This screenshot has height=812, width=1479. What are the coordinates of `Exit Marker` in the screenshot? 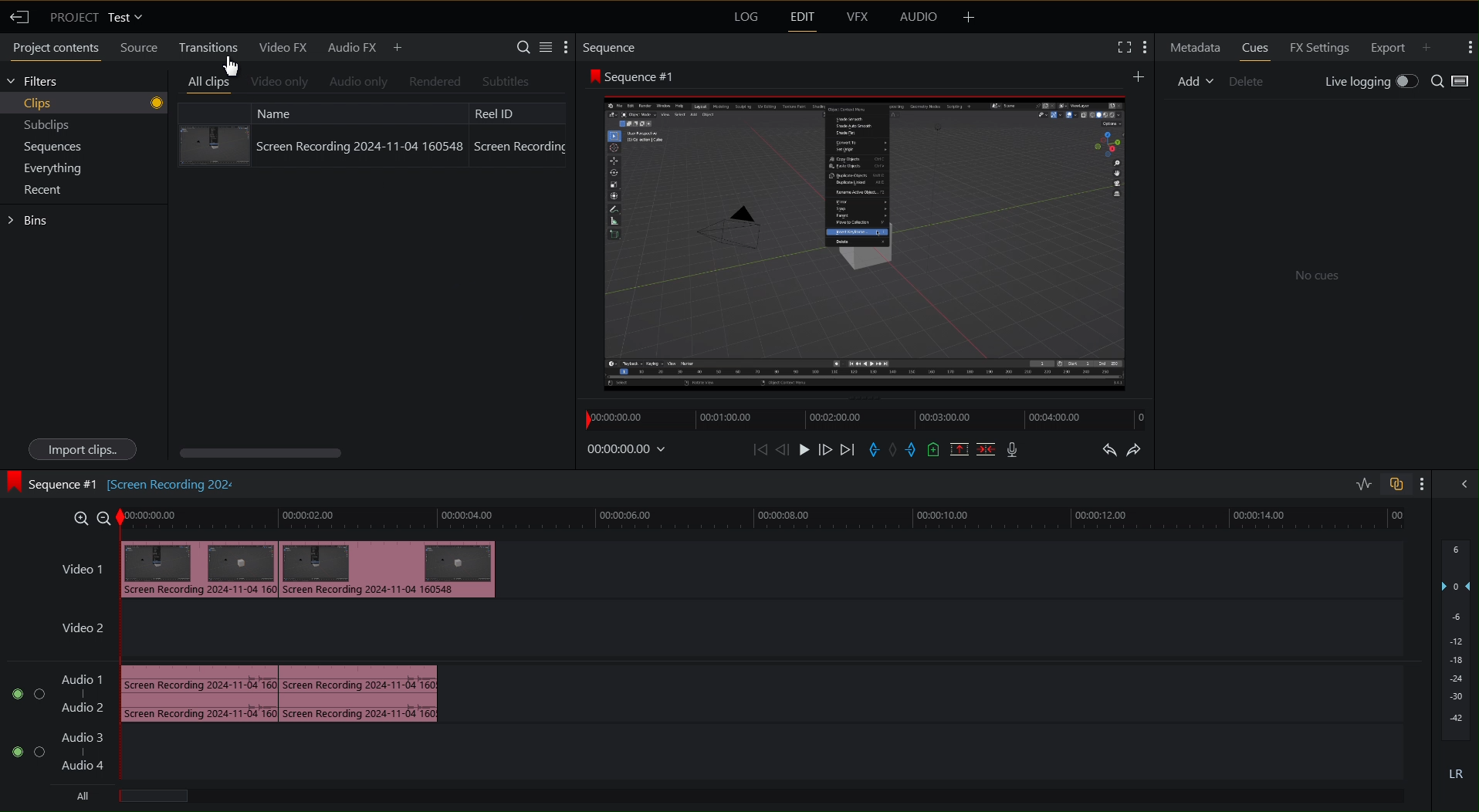 It's located at (913, 450).